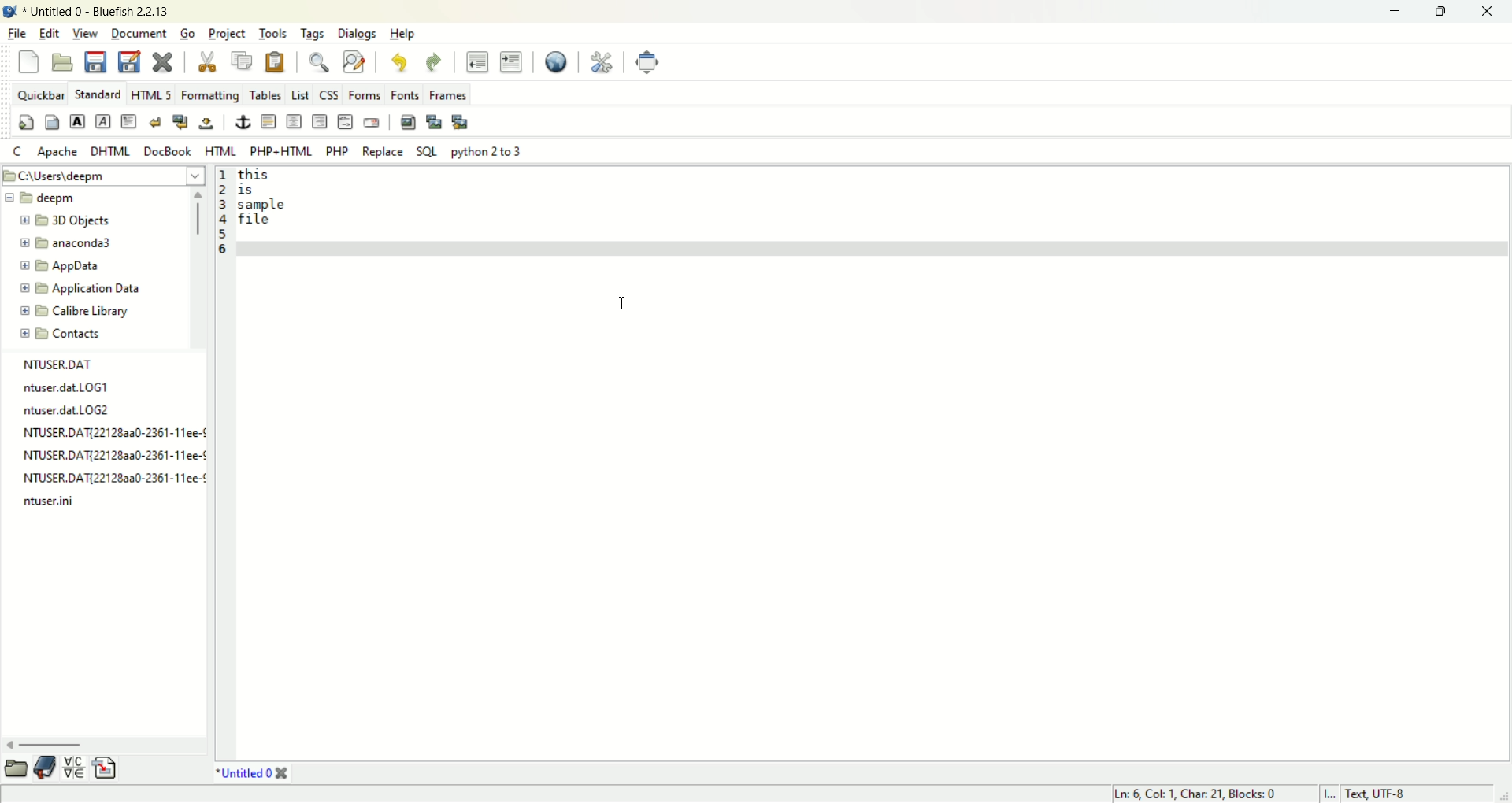 This screenshot has width=1512, height=803. I want to click on quick start, so click(26, 122).